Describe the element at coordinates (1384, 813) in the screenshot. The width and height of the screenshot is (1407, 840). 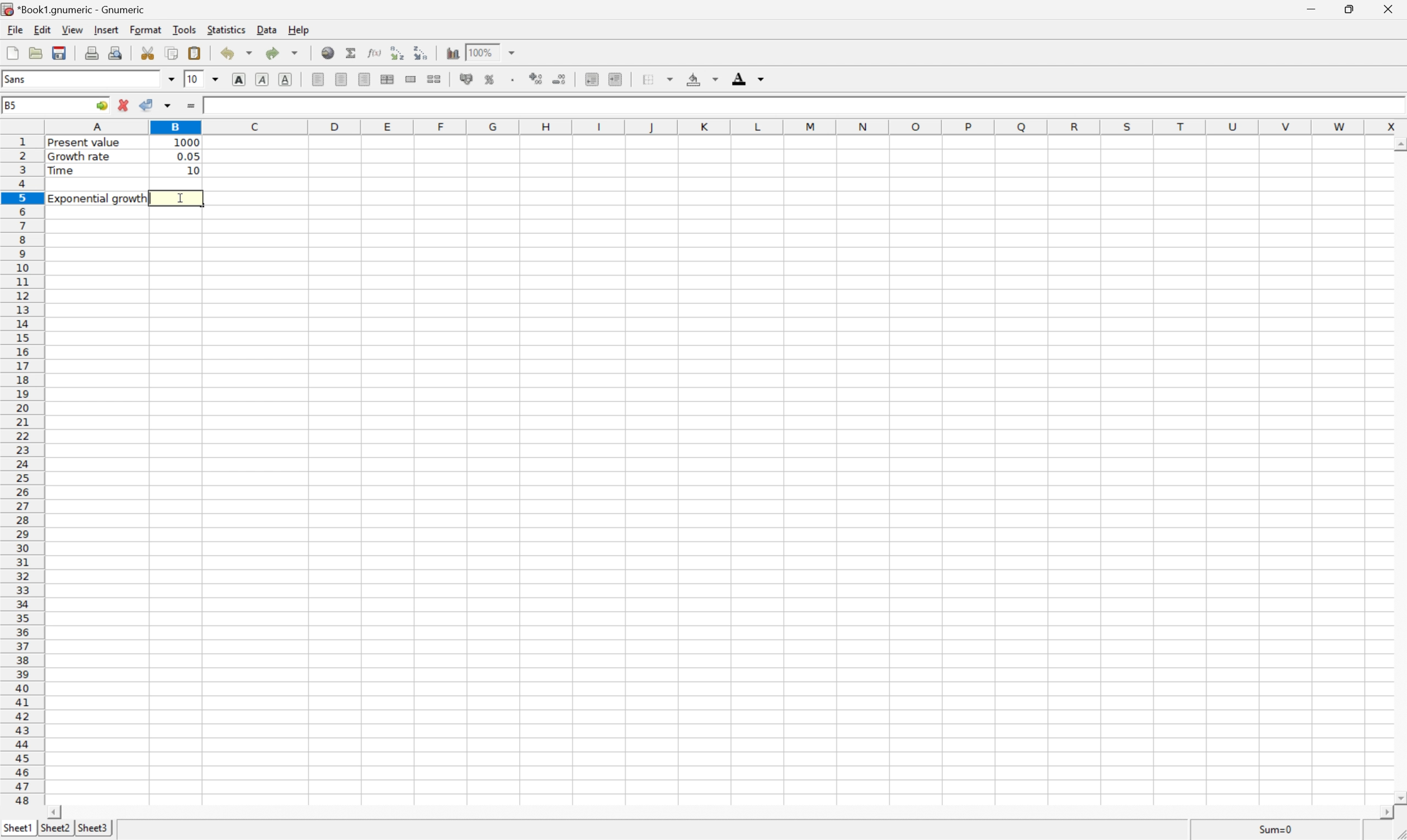
I see `Scroll Right` at that location.